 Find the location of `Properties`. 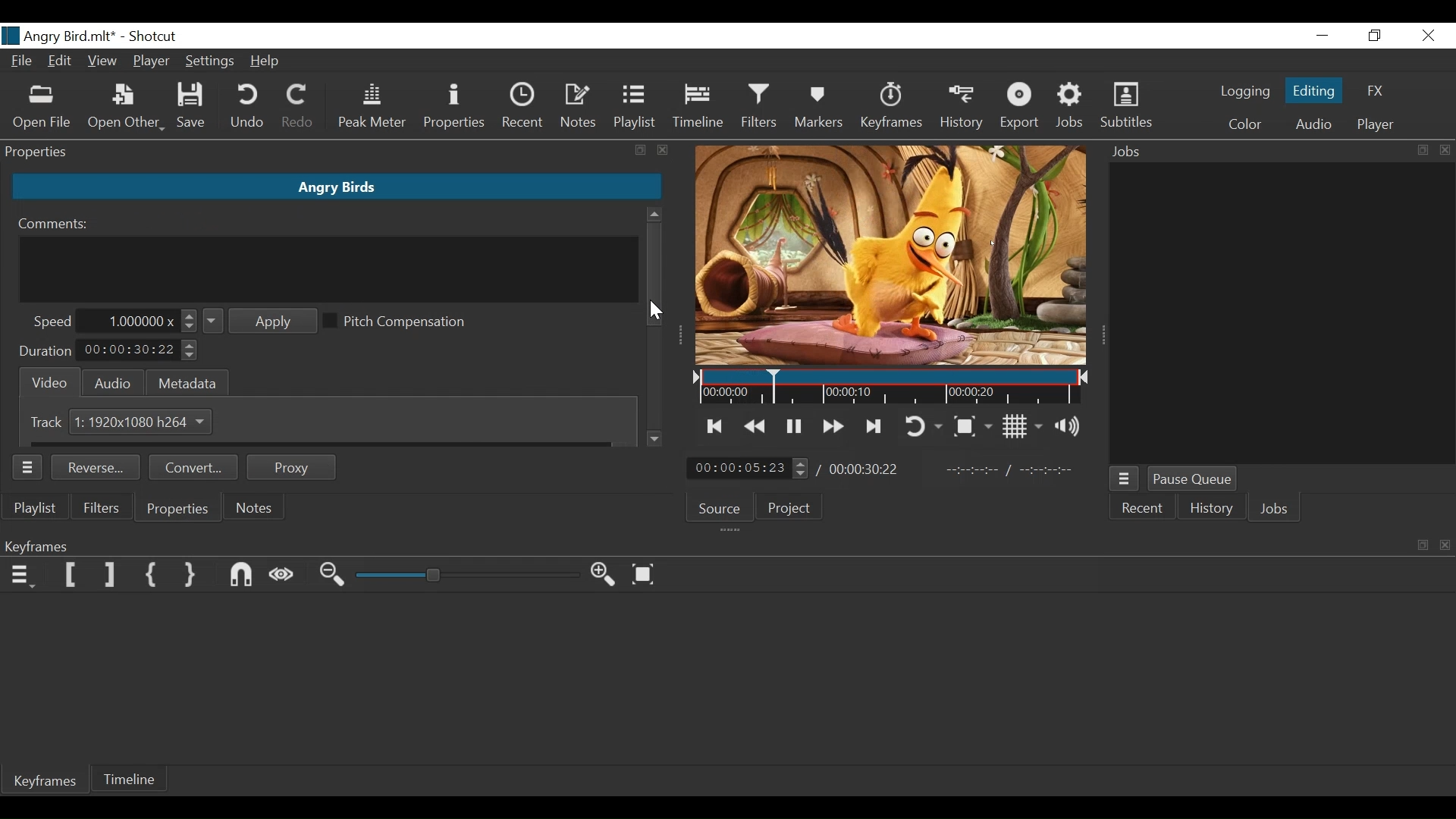

Properties is located at coordinates (453, 108).